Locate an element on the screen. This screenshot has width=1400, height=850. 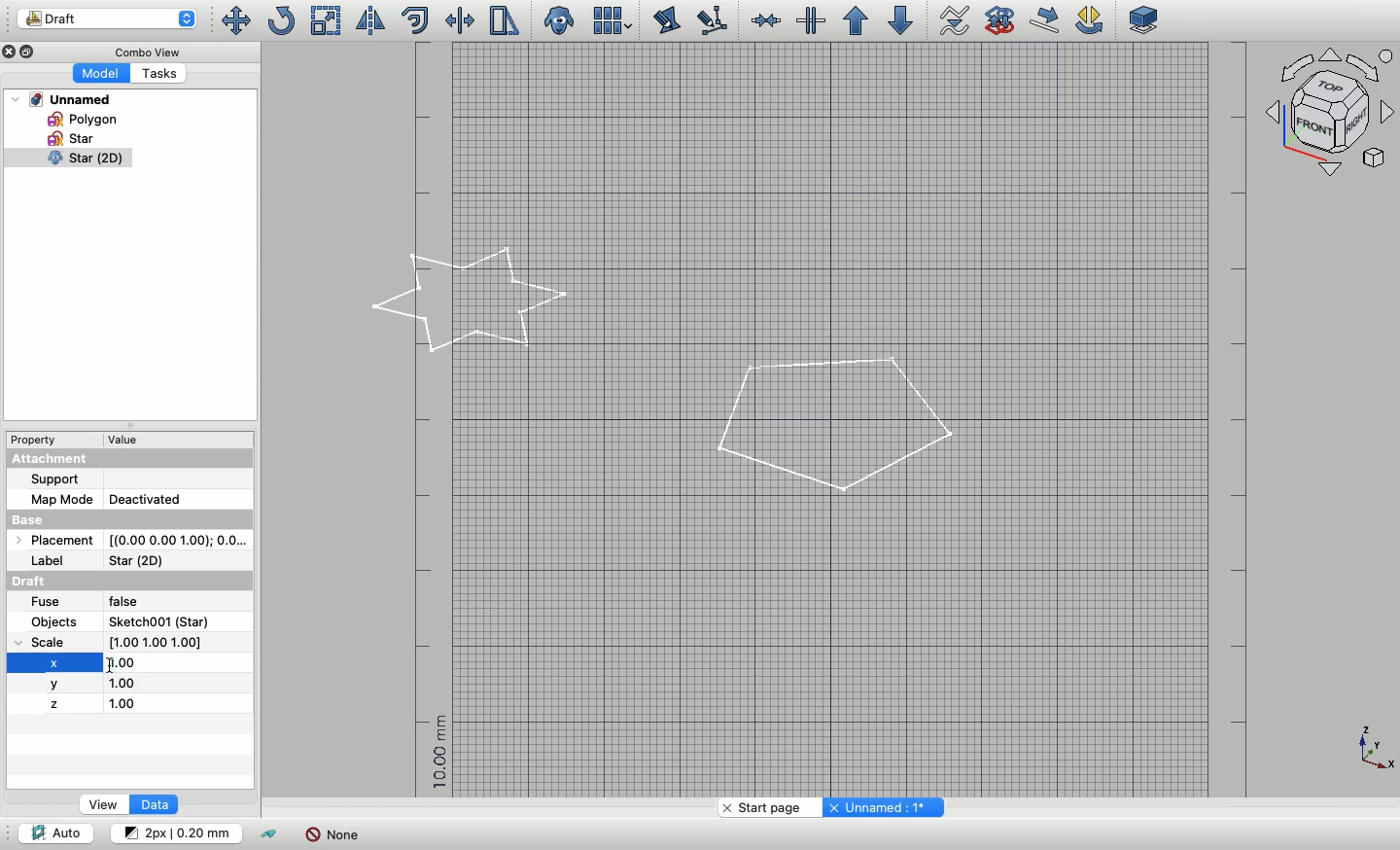
Attachment is located at coordinates (129, 458).